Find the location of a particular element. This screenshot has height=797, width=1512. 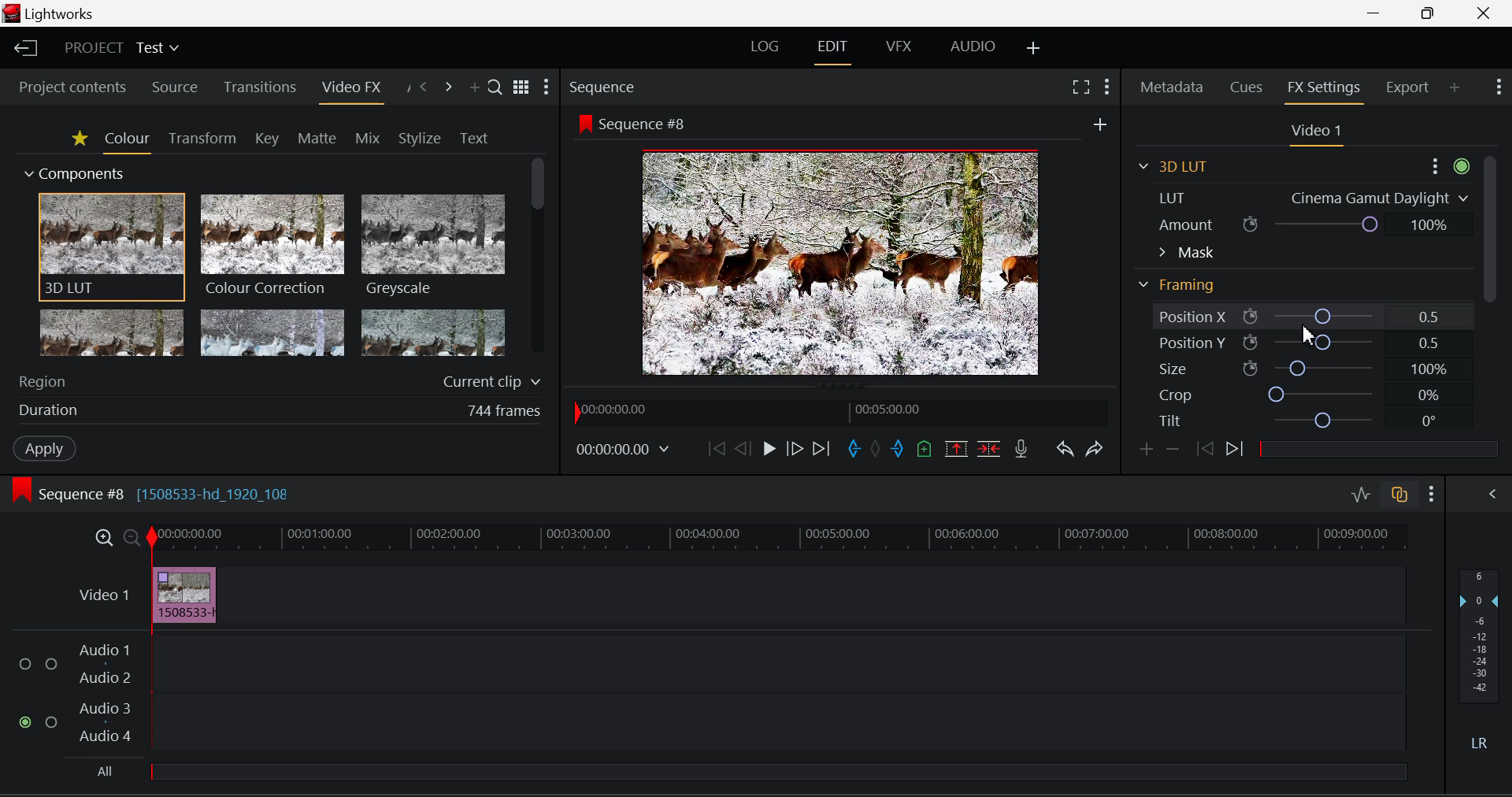

Toggle audio levels editing is located at coordinates (1361, 493).